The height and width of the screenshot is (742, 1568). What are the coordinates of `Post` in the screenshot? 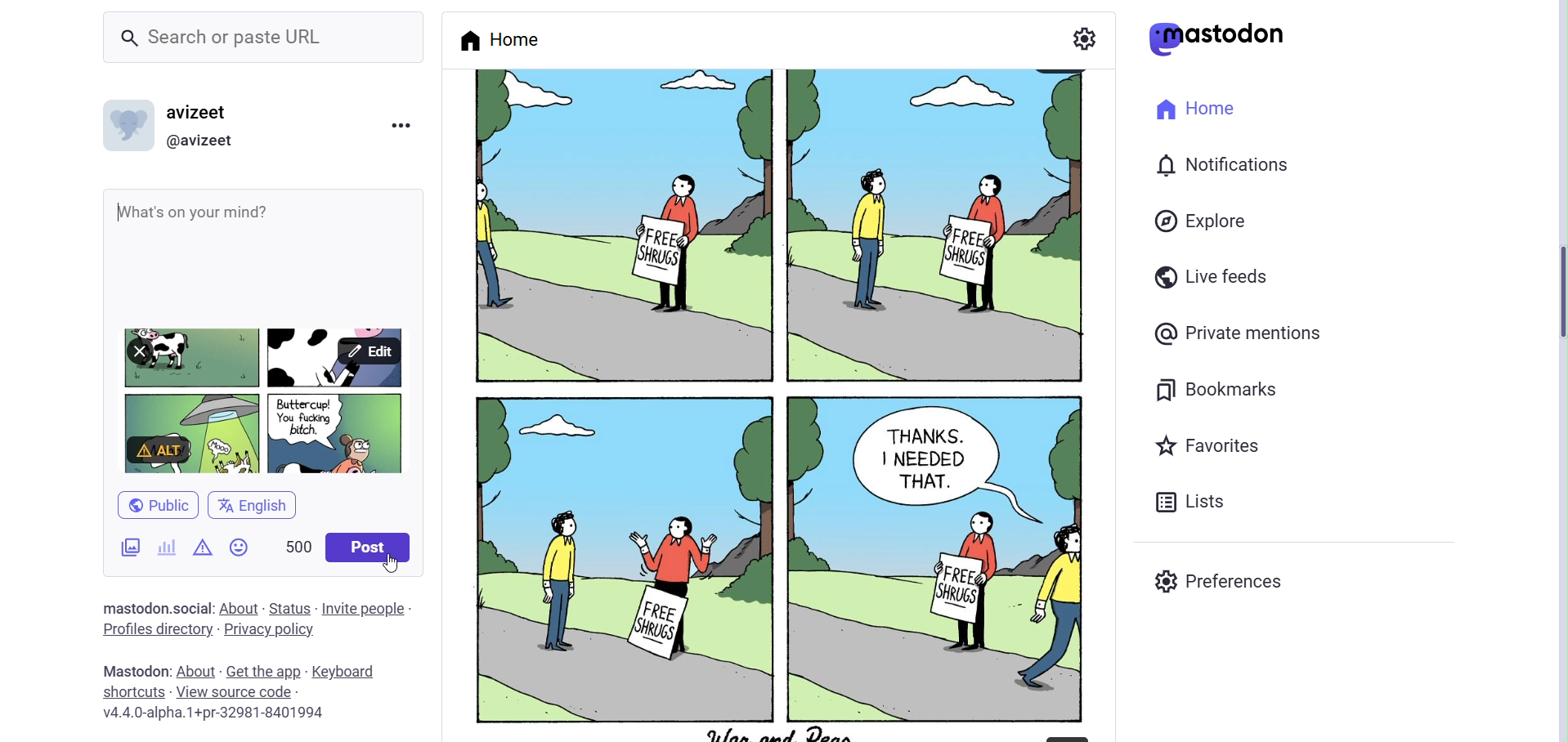 It's located at (365, 548).